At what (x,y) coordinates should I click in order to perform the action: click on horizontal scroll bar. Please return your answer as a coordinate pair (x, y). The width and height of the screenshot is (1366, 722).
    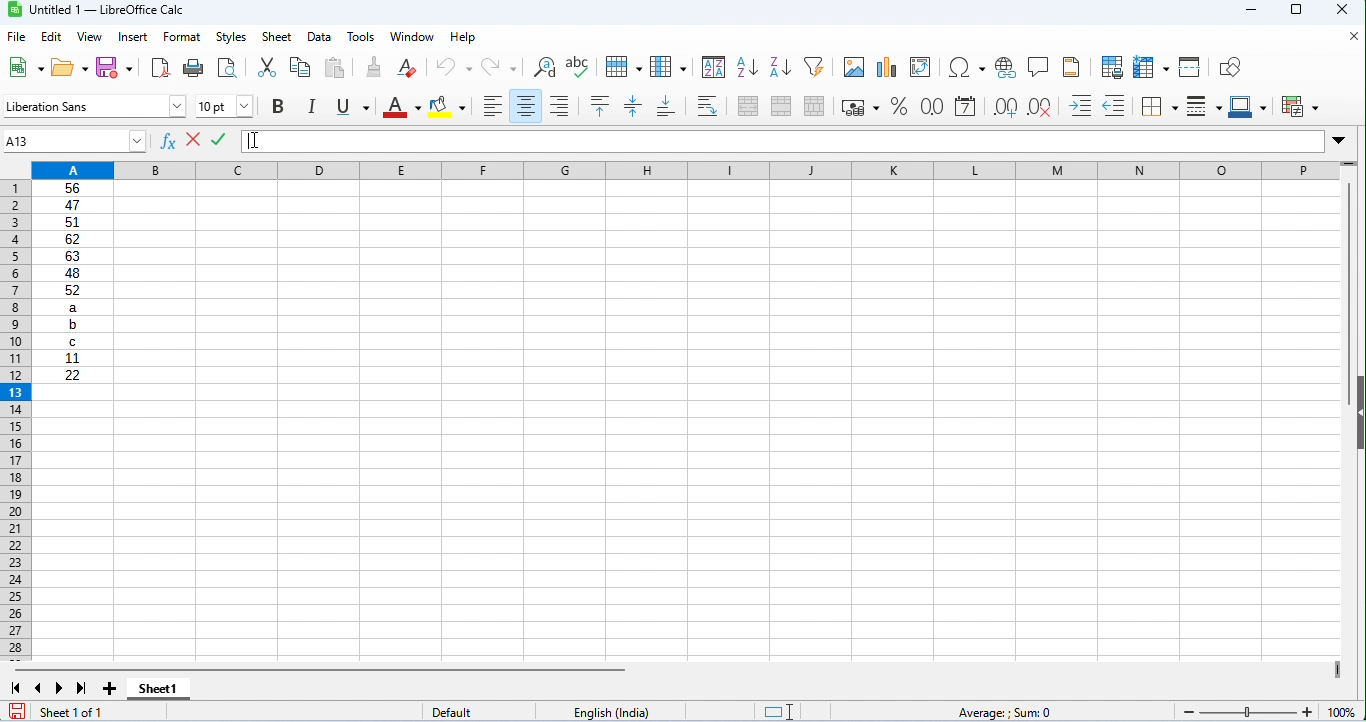
    Looking at the image, I should click on (321, 670).